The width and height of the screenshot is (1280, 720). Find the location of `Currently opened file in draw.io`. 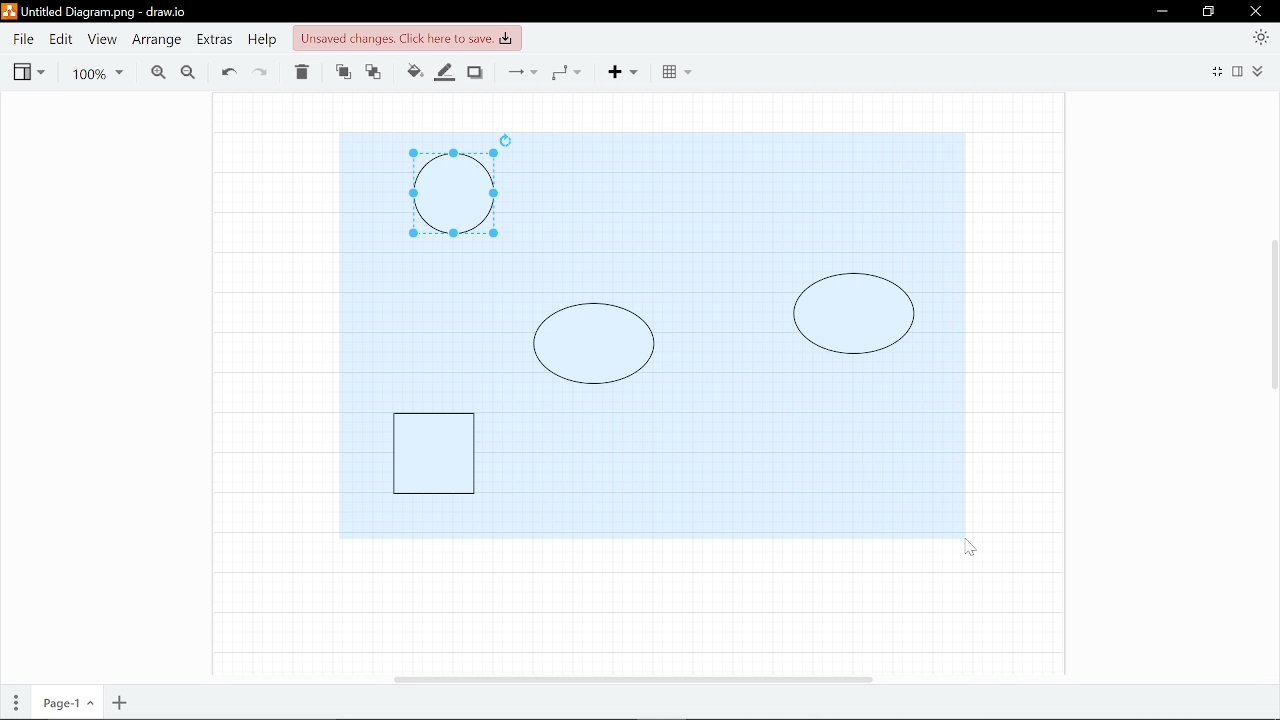

Currently opened file in draw.io is located at coordinates (98, 13).